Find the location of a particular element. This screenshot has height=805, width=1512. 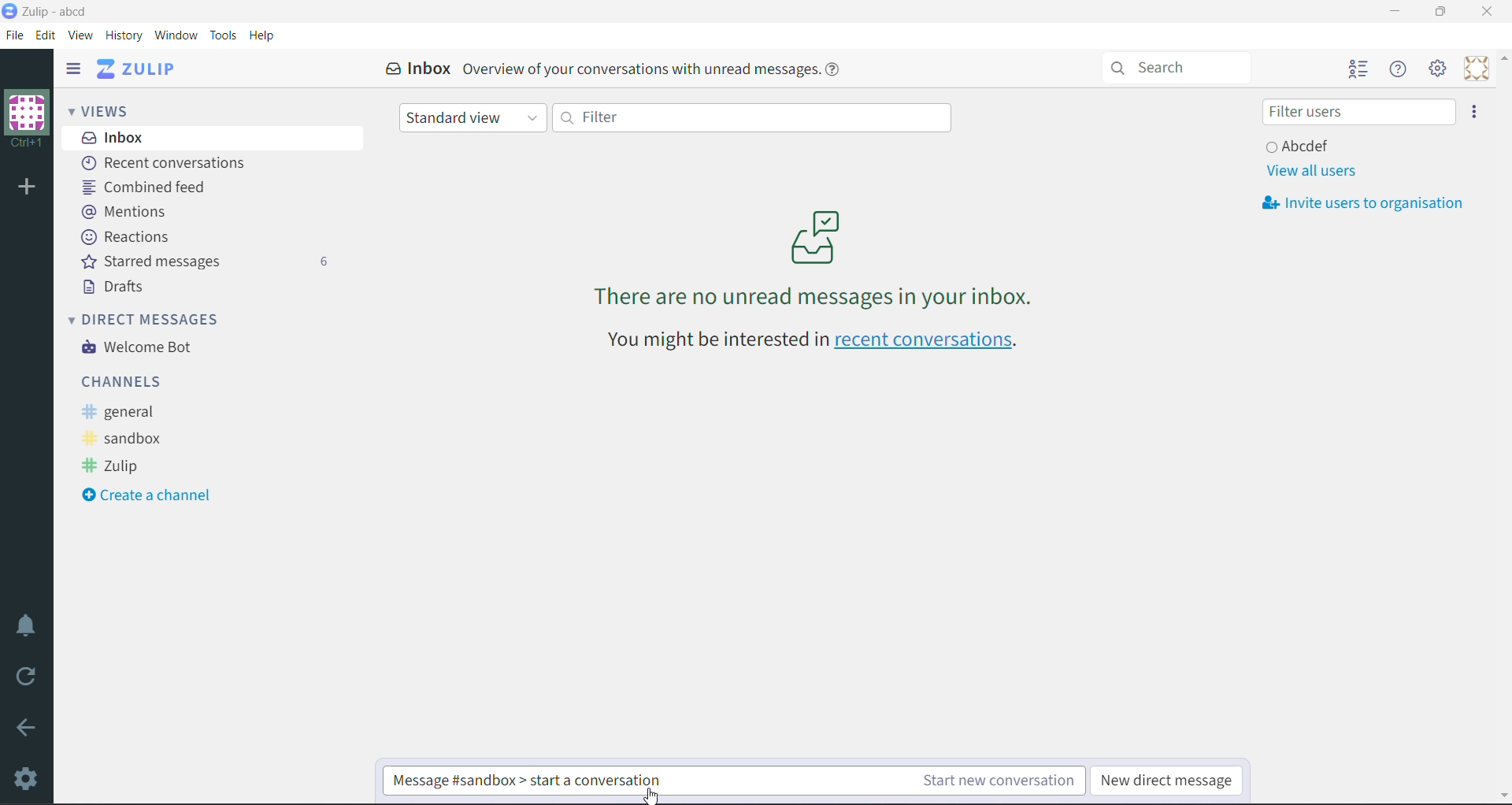

Invite usersto organization is located at coordinates (1369, 203).